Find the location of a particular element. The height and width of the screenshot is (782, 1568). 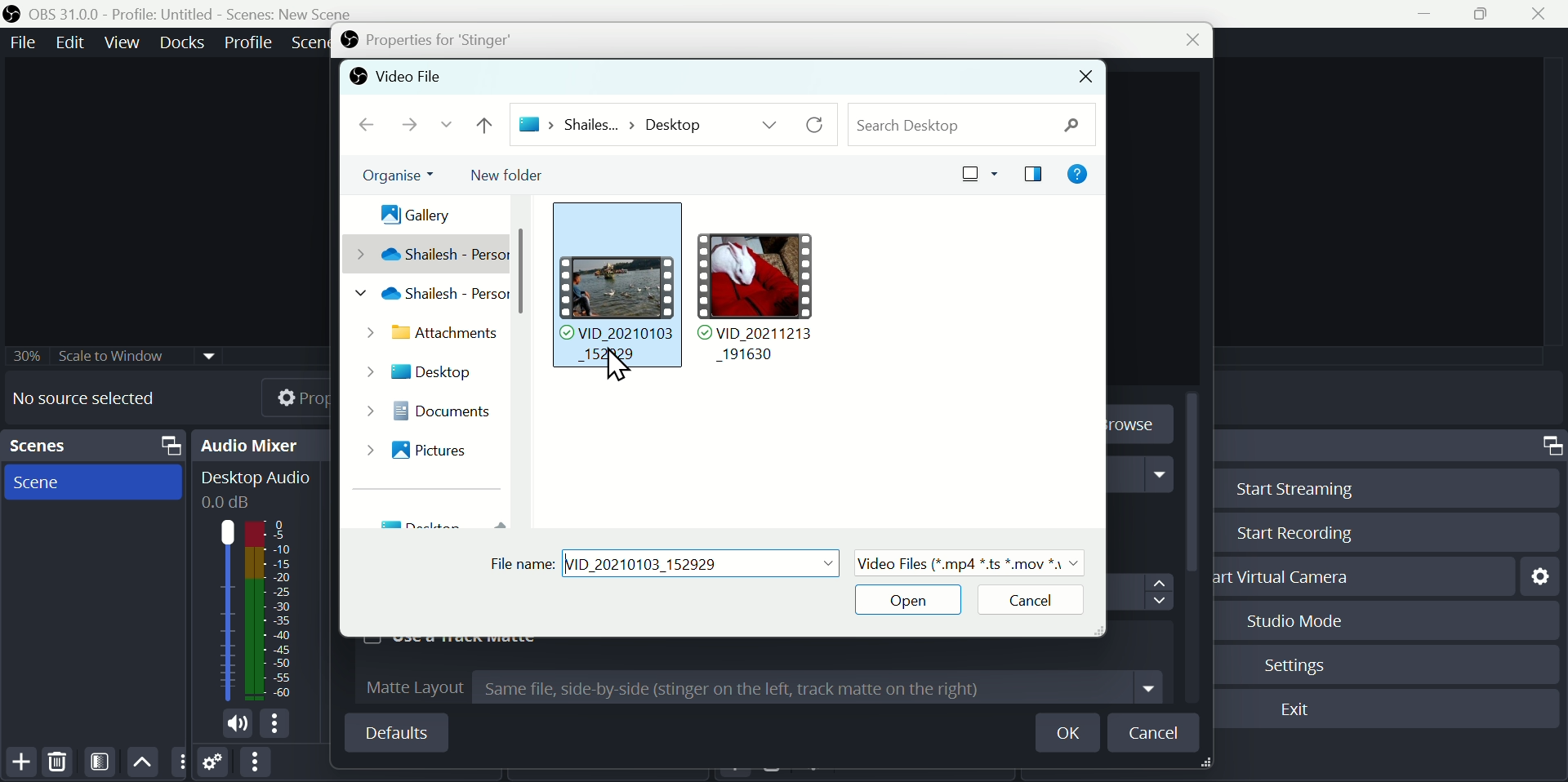

more options is located at coordinates (278, 725).